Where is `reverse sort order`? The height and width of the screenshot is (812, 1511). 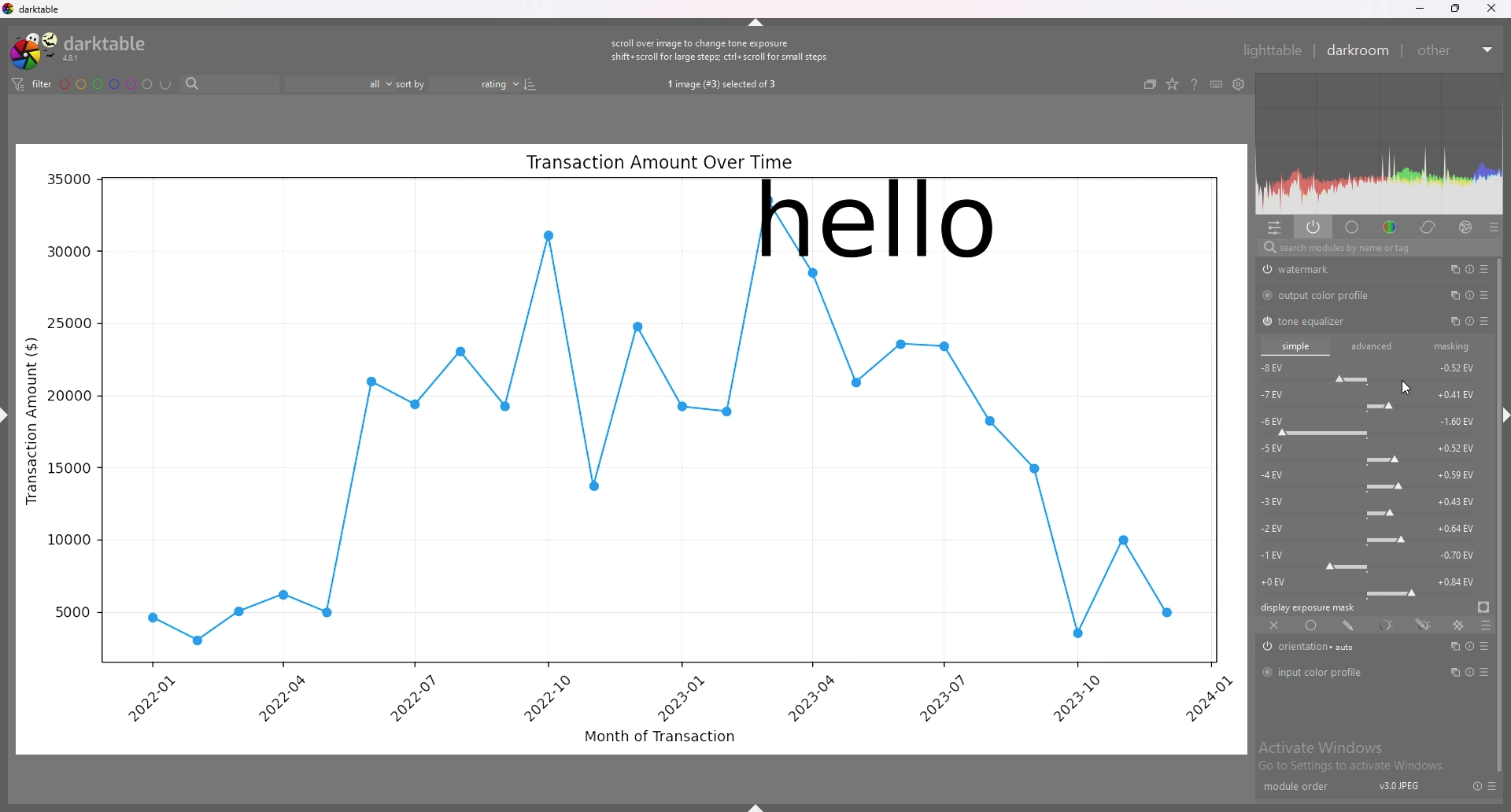 reverse sort order is located at coordinates (531, 84).